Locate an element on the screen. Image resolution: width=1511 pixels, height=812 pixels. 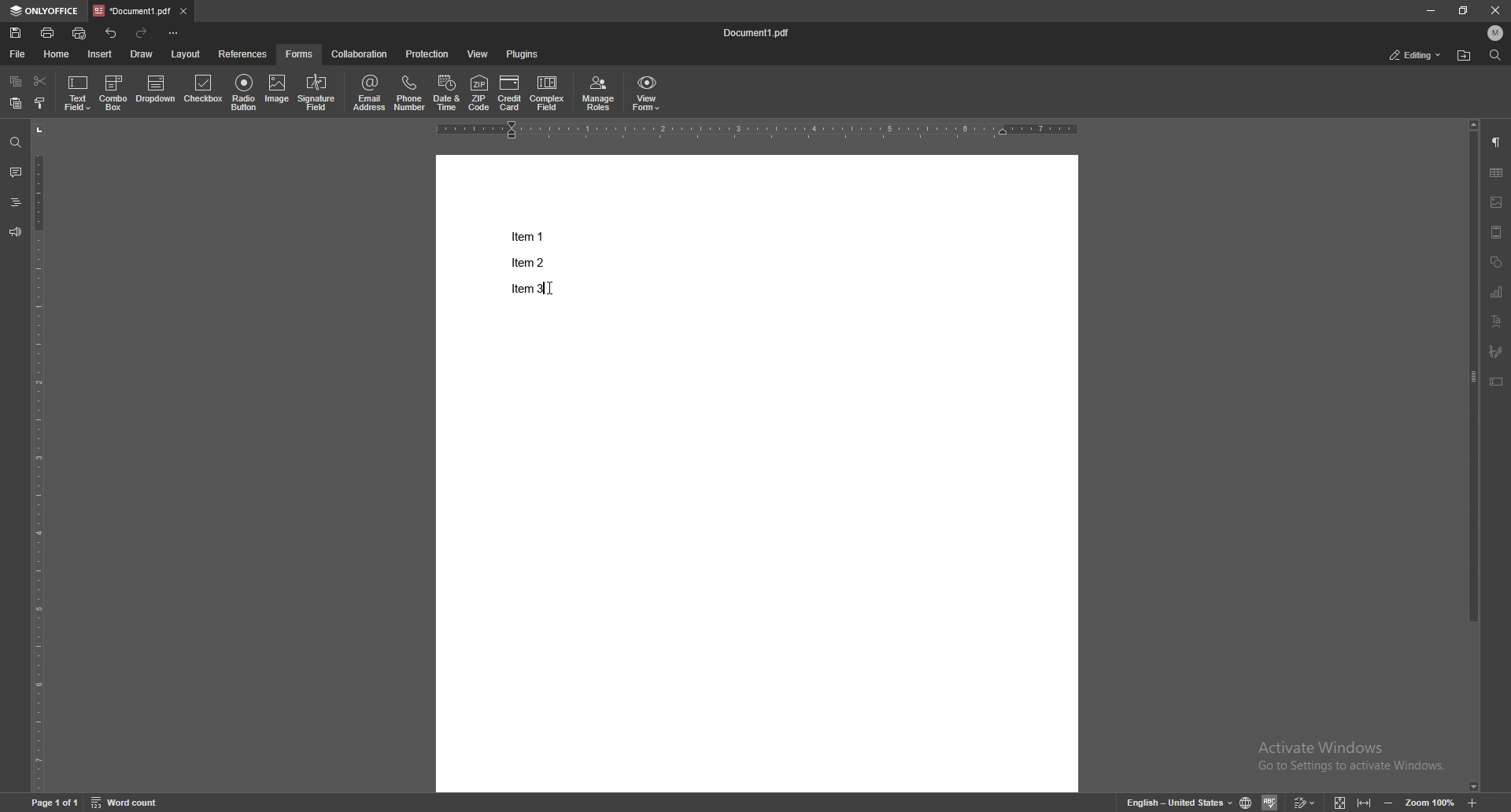
tab is located at coordinates (132, 10).